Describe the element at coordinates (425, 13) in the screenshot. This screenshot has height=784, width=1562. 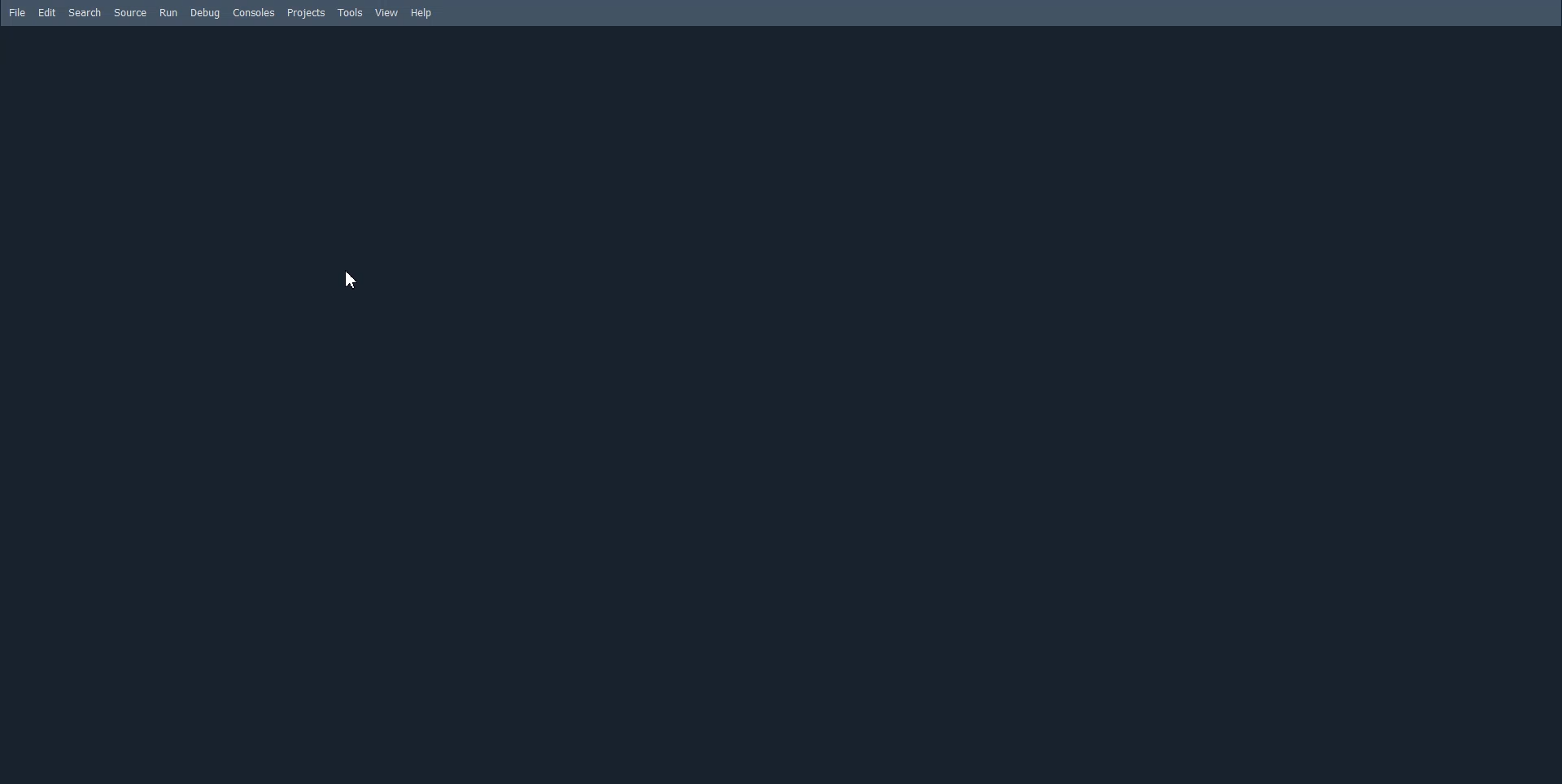
I see `Help` at that location.